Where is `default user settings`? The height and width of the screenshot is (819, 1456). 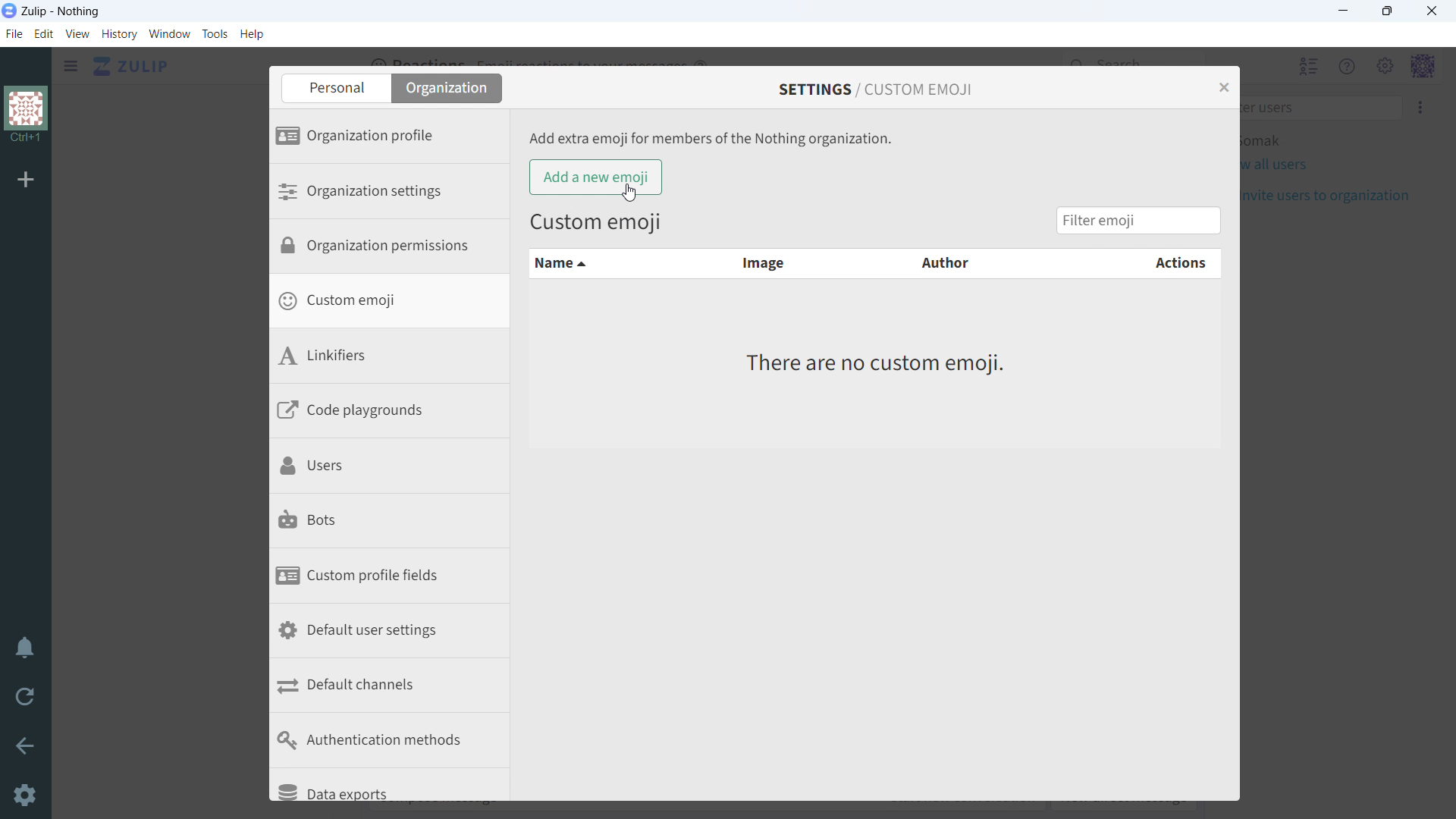
default user settings is located at coordinates (390, 632).